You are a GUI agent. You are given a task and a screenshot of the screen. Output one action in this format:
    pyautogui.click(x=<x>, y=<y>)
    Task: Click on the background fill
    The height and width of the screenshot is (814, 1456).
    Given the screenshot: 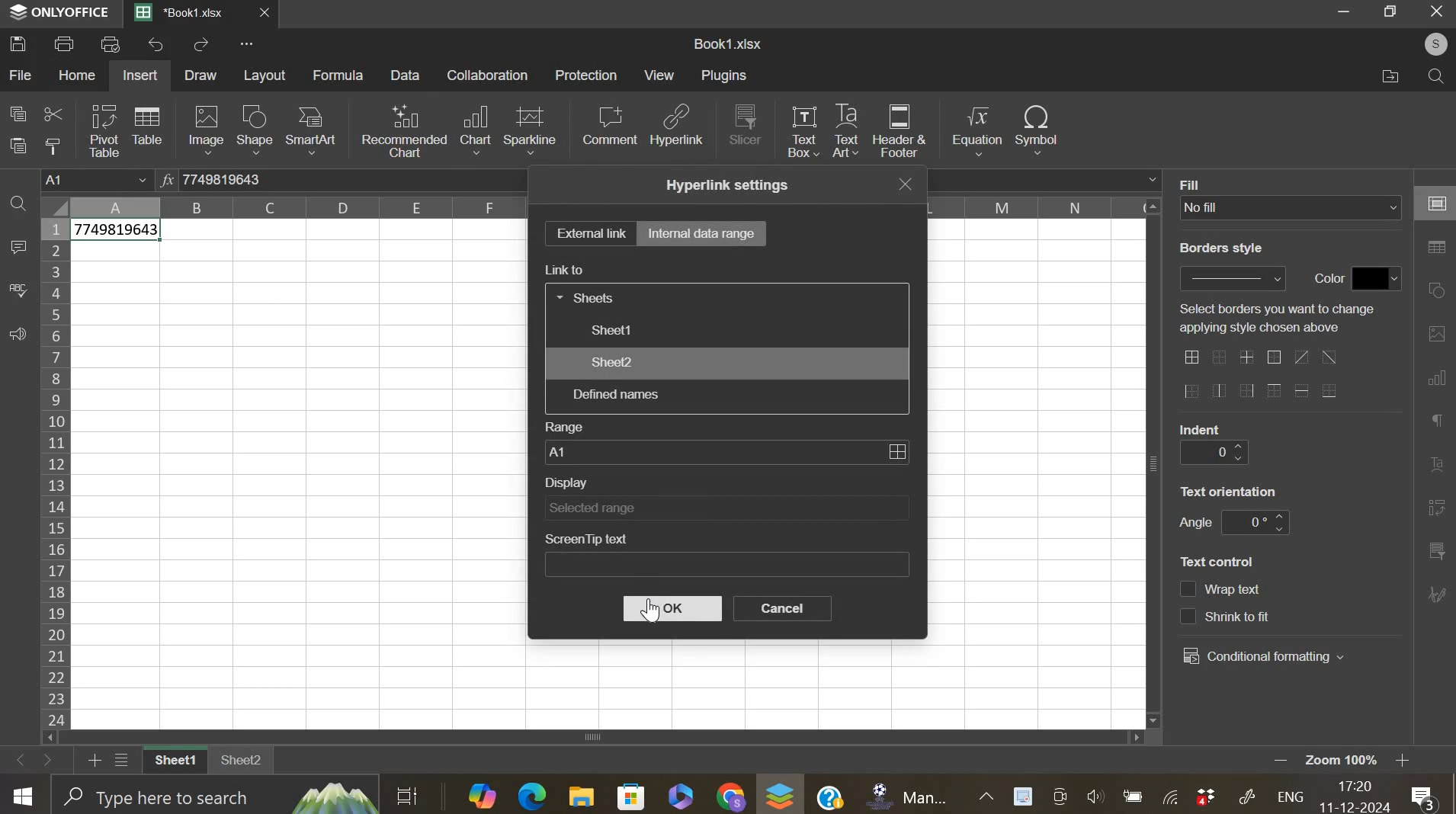 What is the action you would take?
    pyautogui.click(x=1291, y=207)
    